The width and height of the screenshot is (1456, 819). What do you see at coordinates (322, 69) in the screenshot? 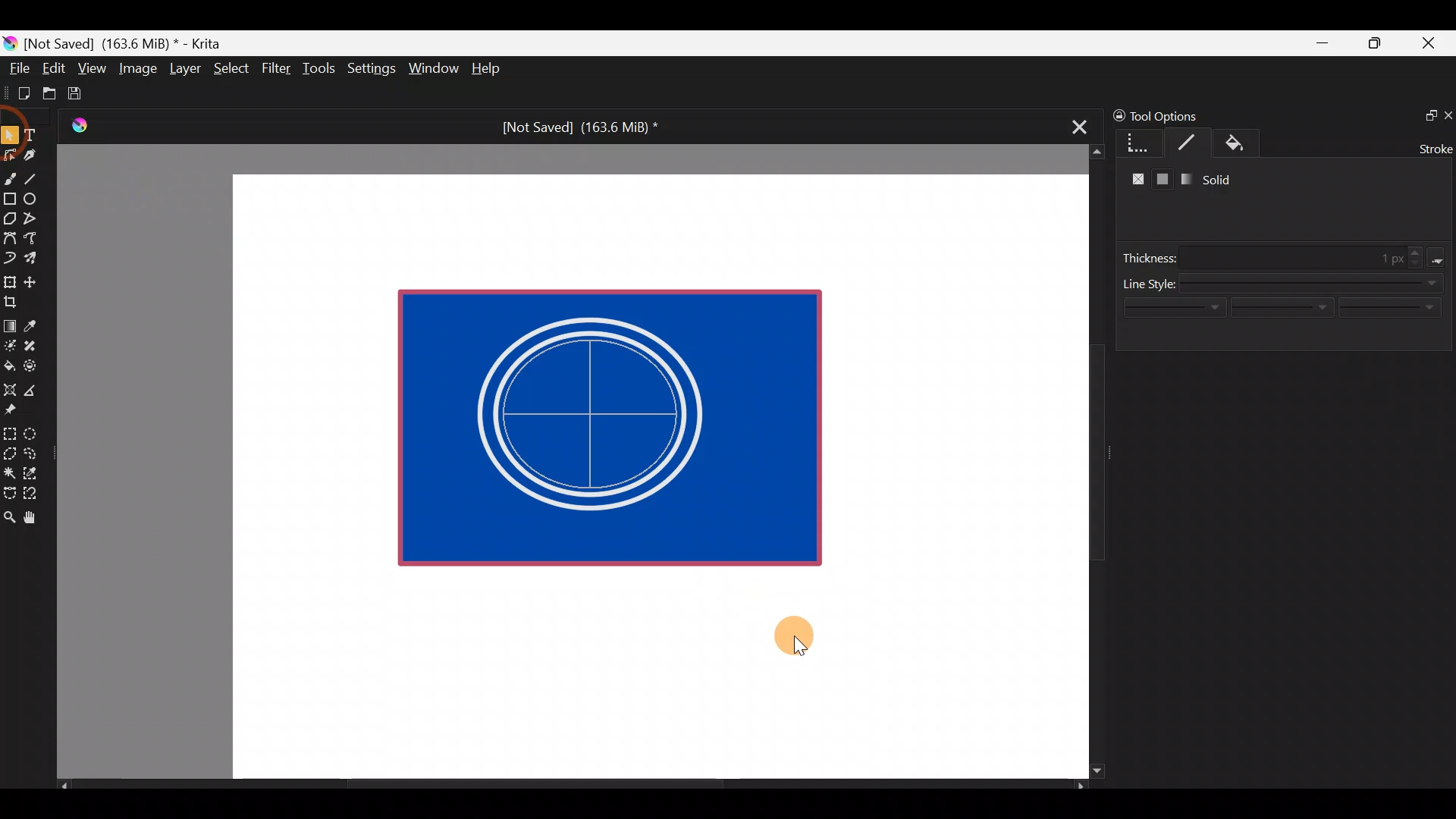
I see `Tools` at bounding box center [322, 69].